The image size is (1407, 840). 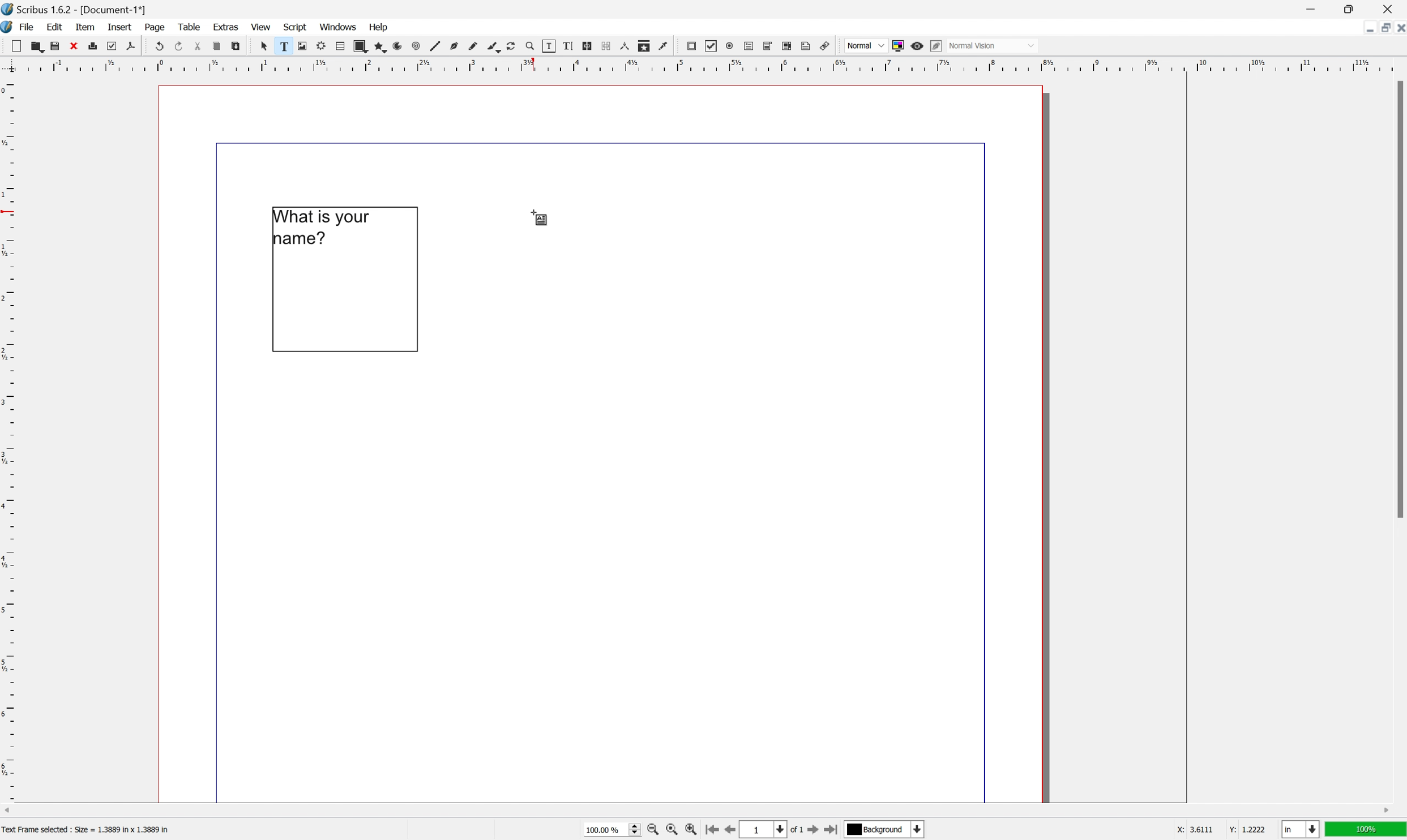 I want to click on pdf text field, so click(x=749, y=46).